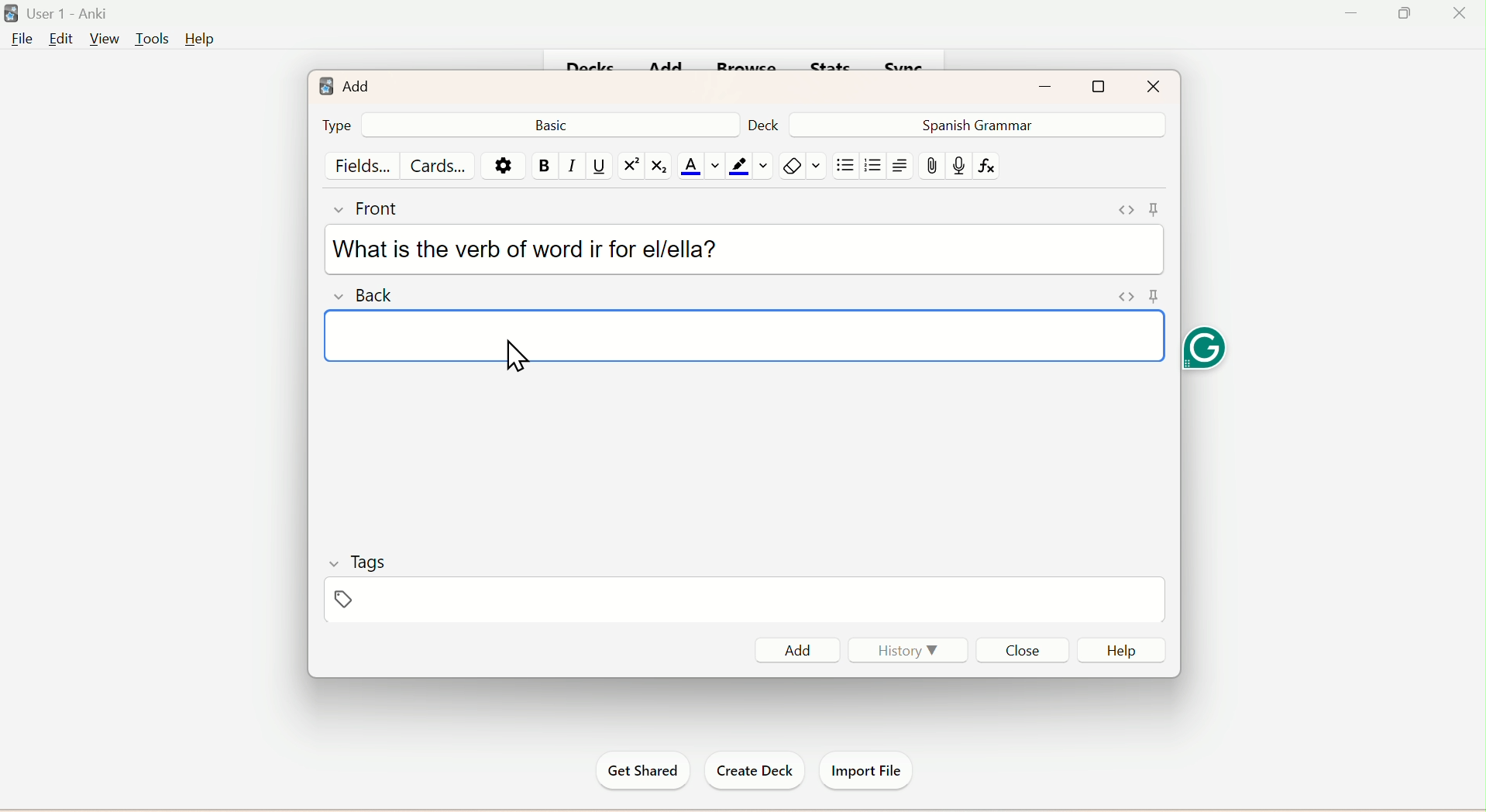 Image resolution: width=1486 pixels, height=812 pixels. What do you see at coordinates (934, 167) in the screenshot?
I see `Attach` at bounding box center [934, 167].